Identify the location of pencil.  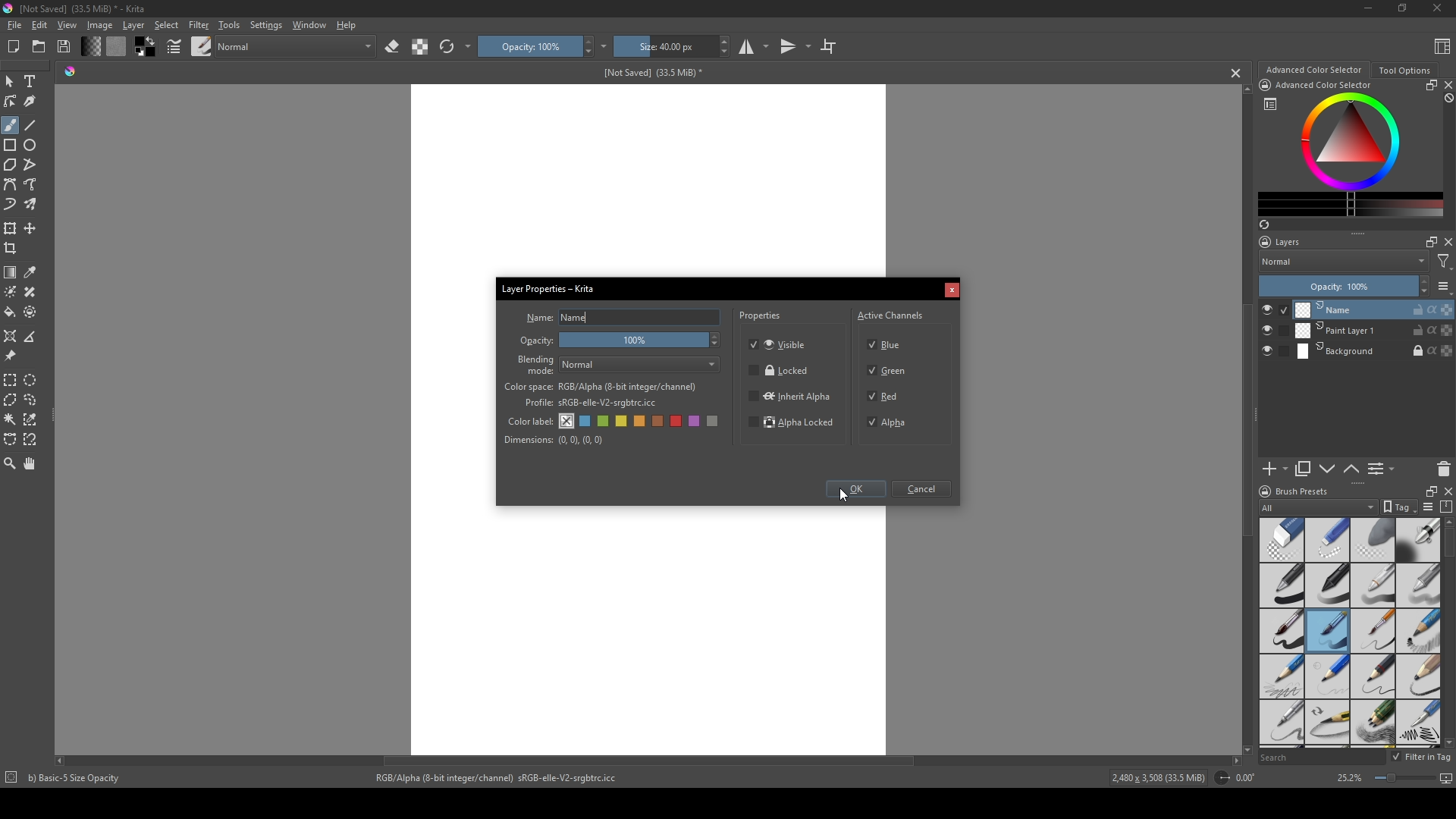
(1280, 676).